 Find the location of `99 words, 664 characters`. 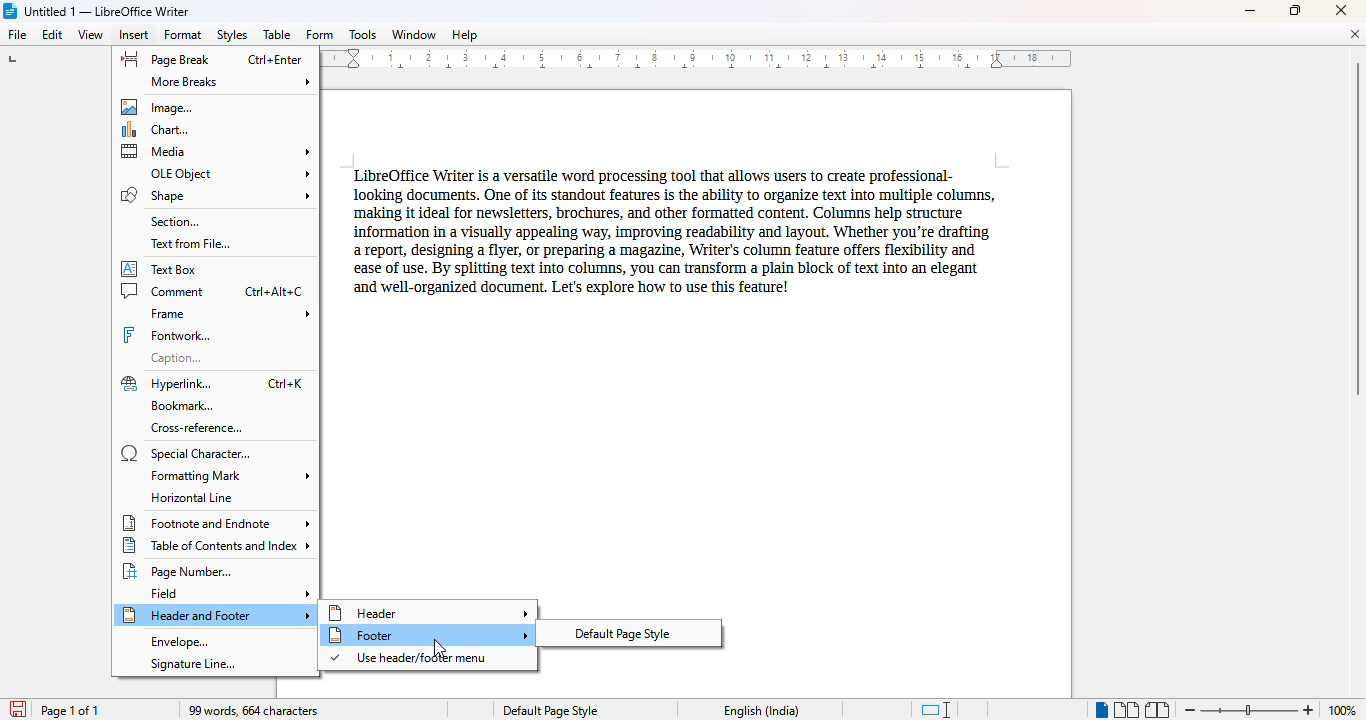

99 words, 664 characters is located at coordinates (255, 711).